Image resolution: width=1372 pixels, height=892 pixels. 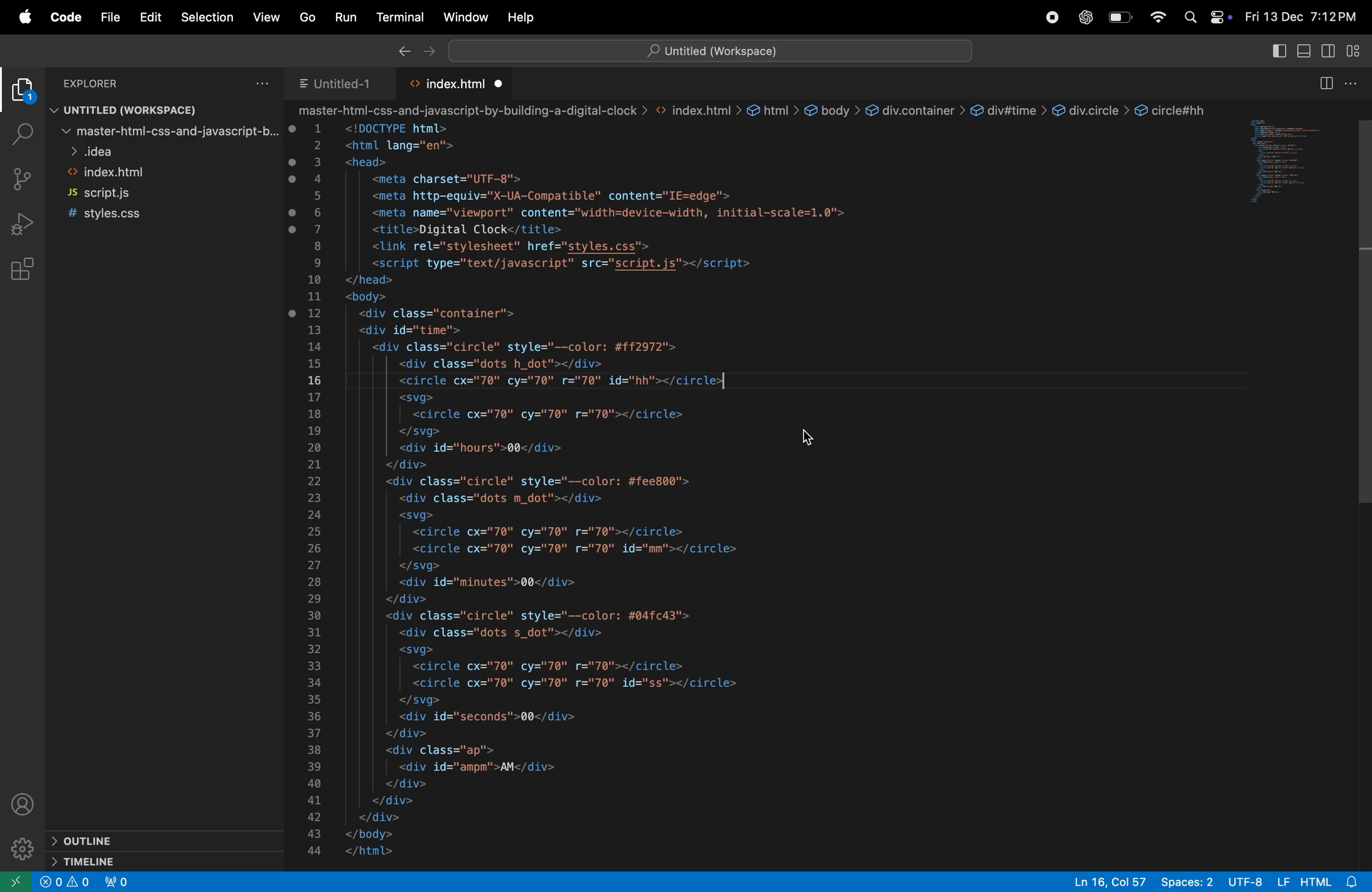 What do you see at coordinates (160, 153) in the screenshot?
I see `idea` at bounding box center [160, 153].